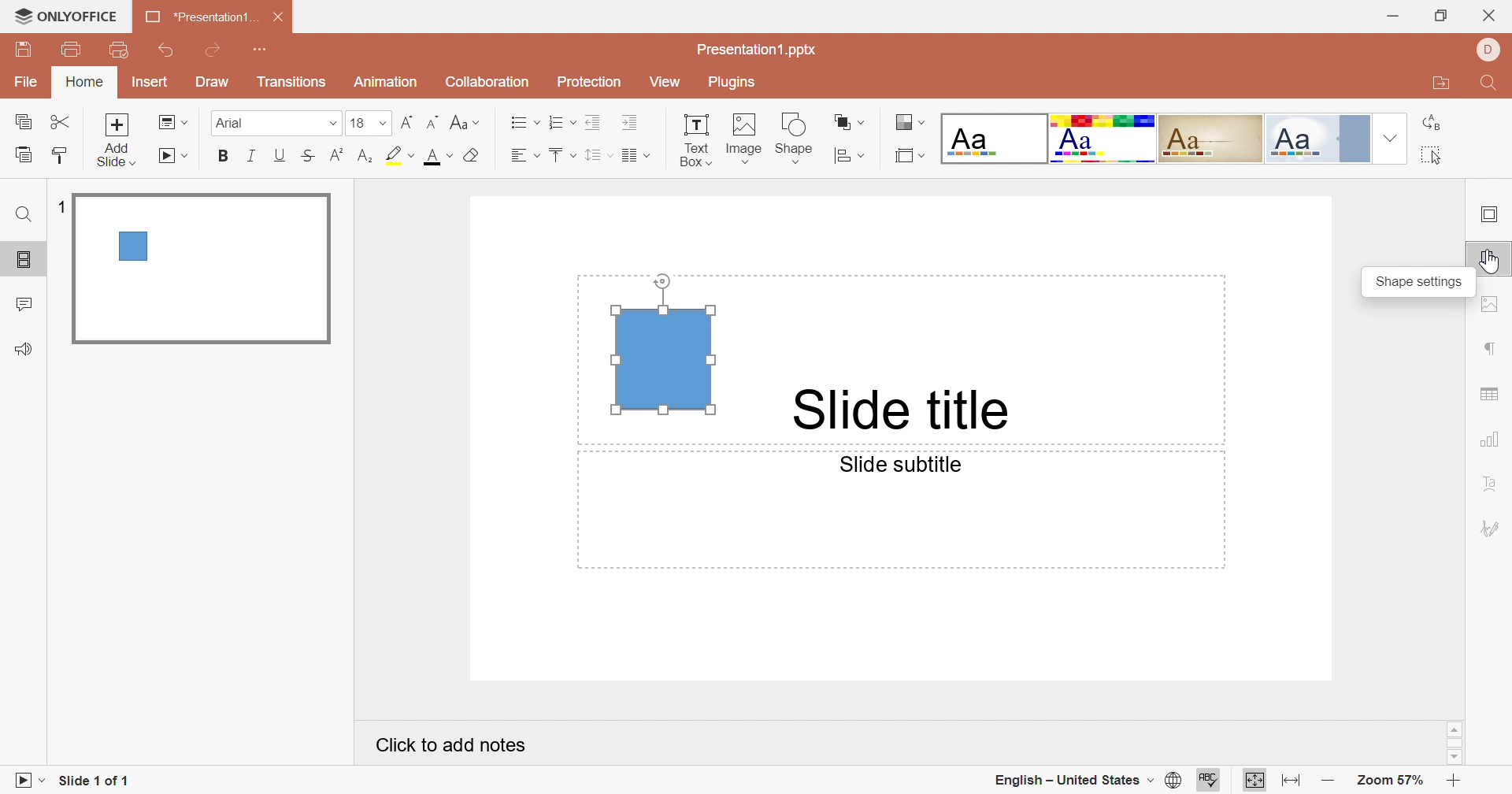  What do you see at coordinates (84, 83) in the screenshot?
I see `Home` at bounding box center [84, 83].